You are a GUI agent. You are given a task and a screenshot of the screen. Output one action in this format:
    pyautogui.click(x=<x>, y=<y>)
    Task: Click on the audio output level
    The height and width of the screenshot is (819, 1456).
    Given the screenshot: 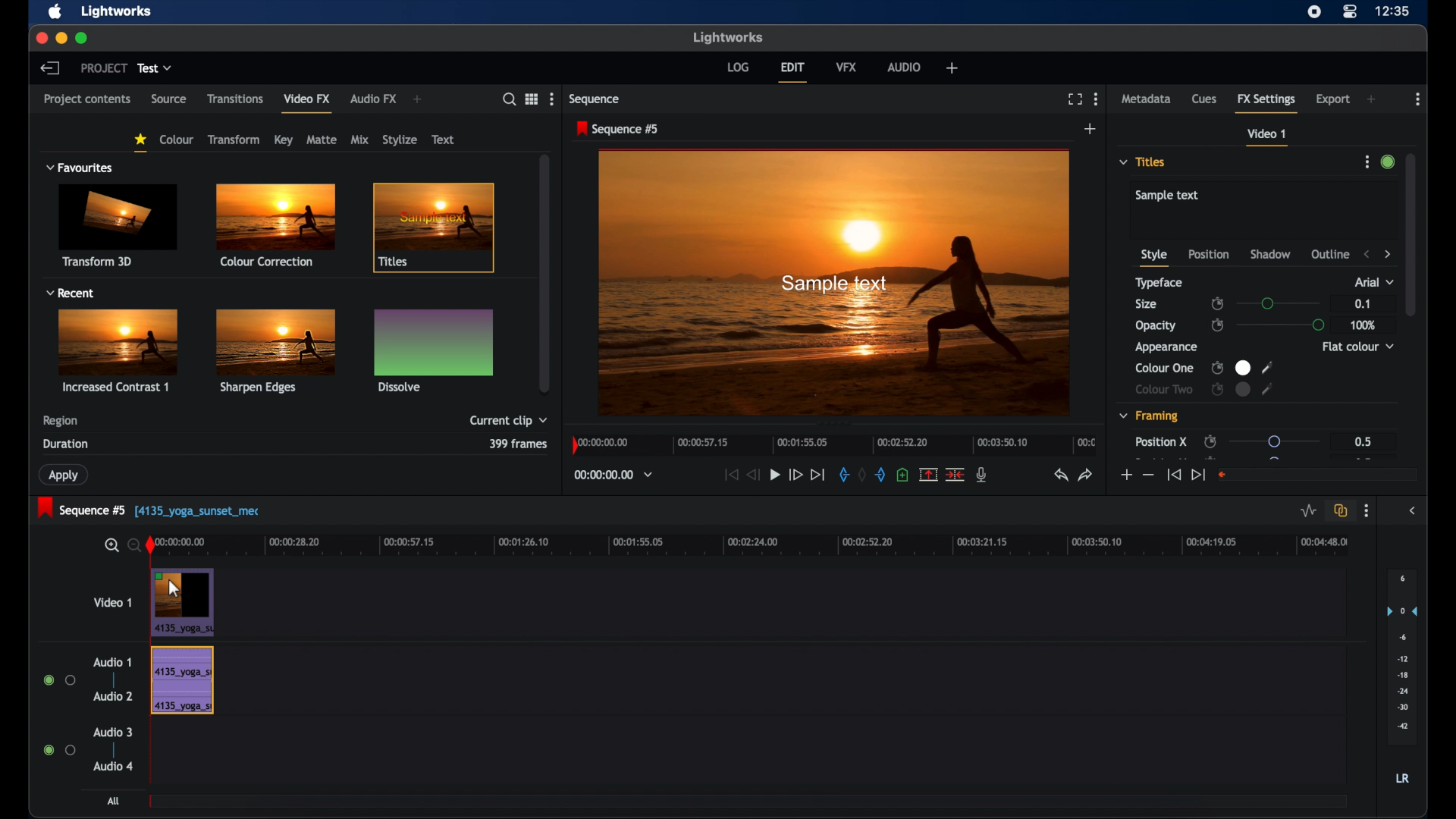 What is the action you would take?
    pyautogui.click(x=1402, y=658)
    